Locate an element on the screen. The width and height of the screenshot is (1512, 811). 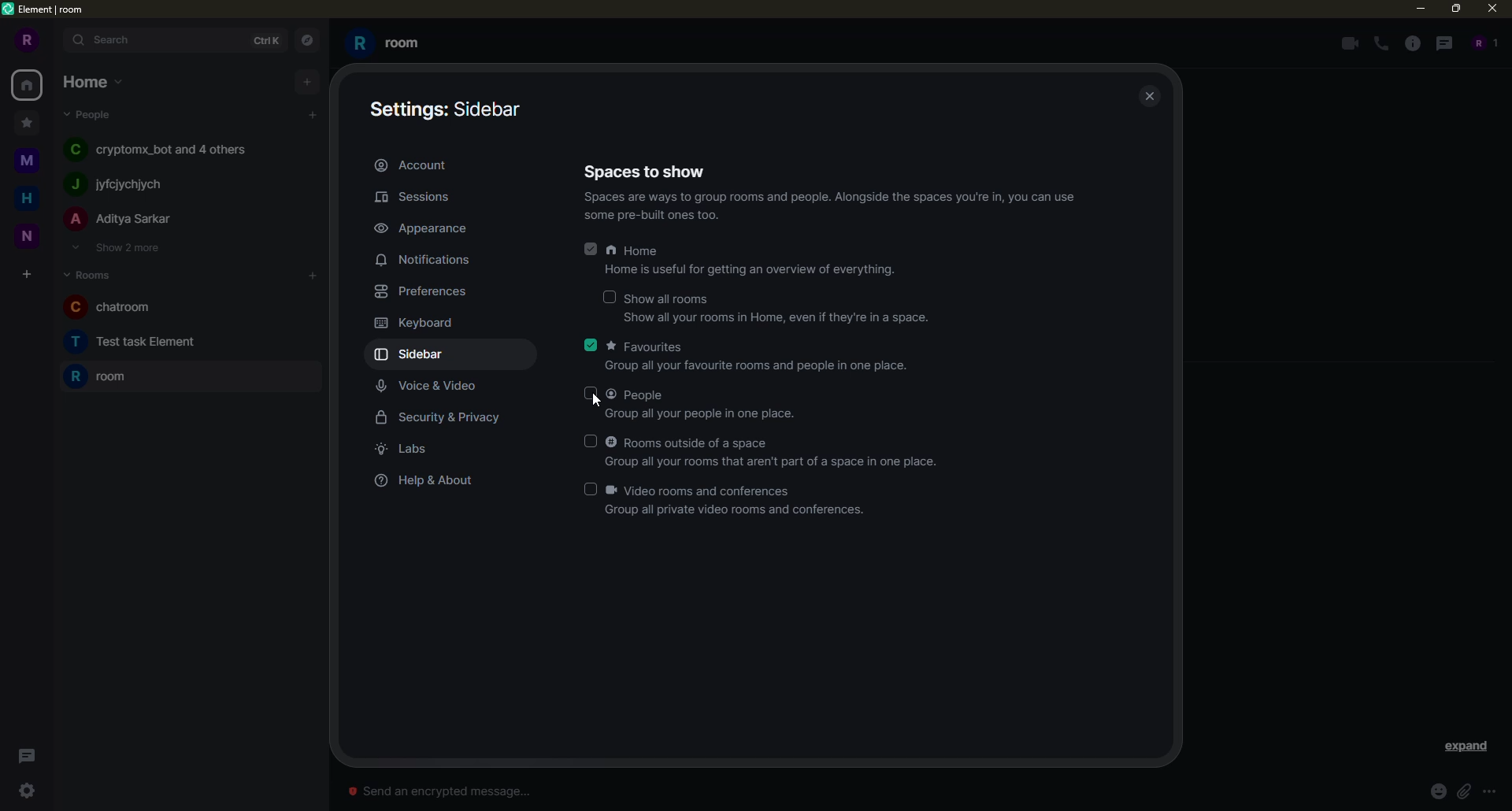
Group all your people in one place. is located at coordinates (684, 416).